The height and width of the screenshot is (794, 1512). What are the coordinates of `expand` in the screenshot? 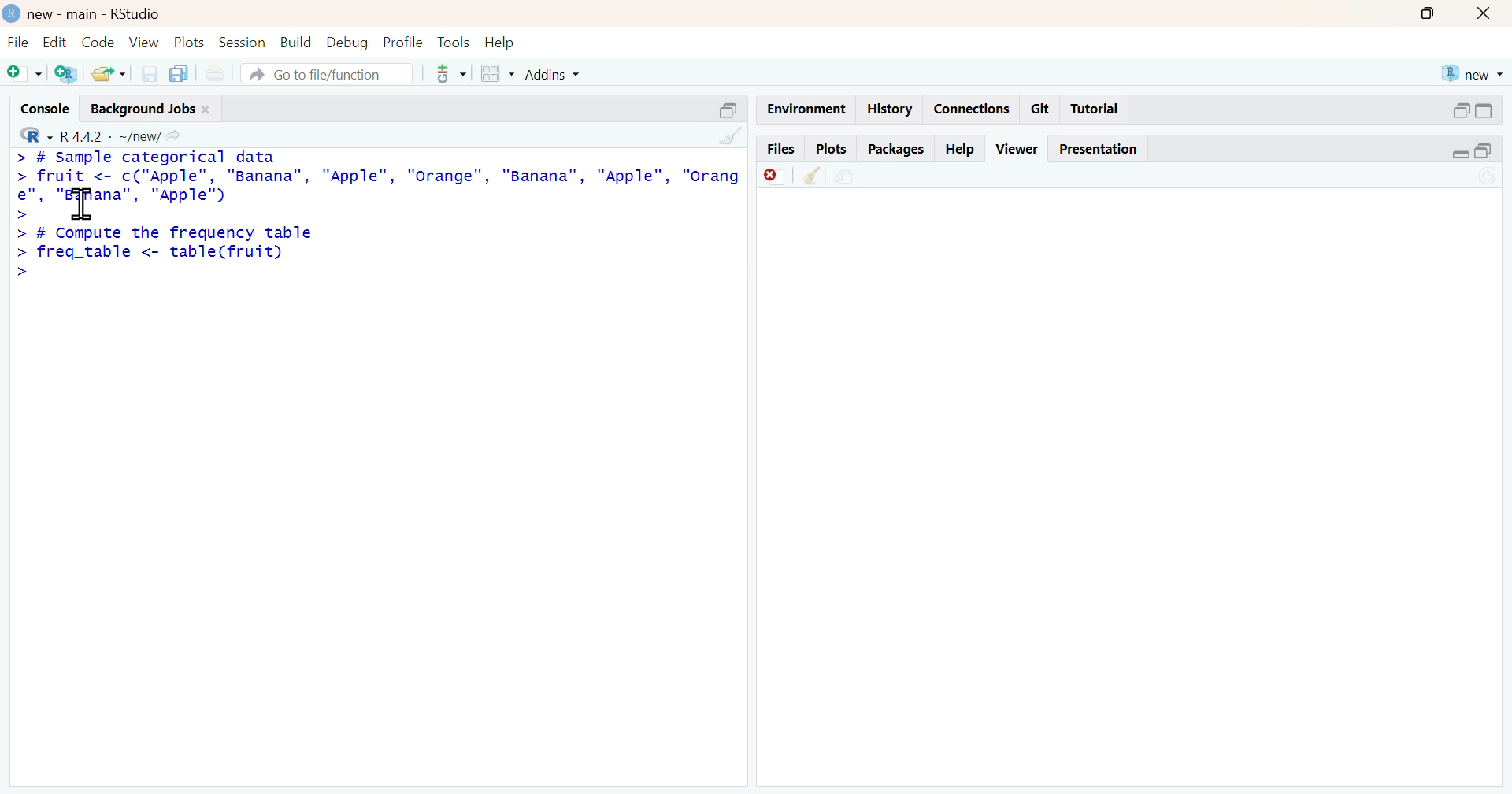 It's located at (1459, 112).